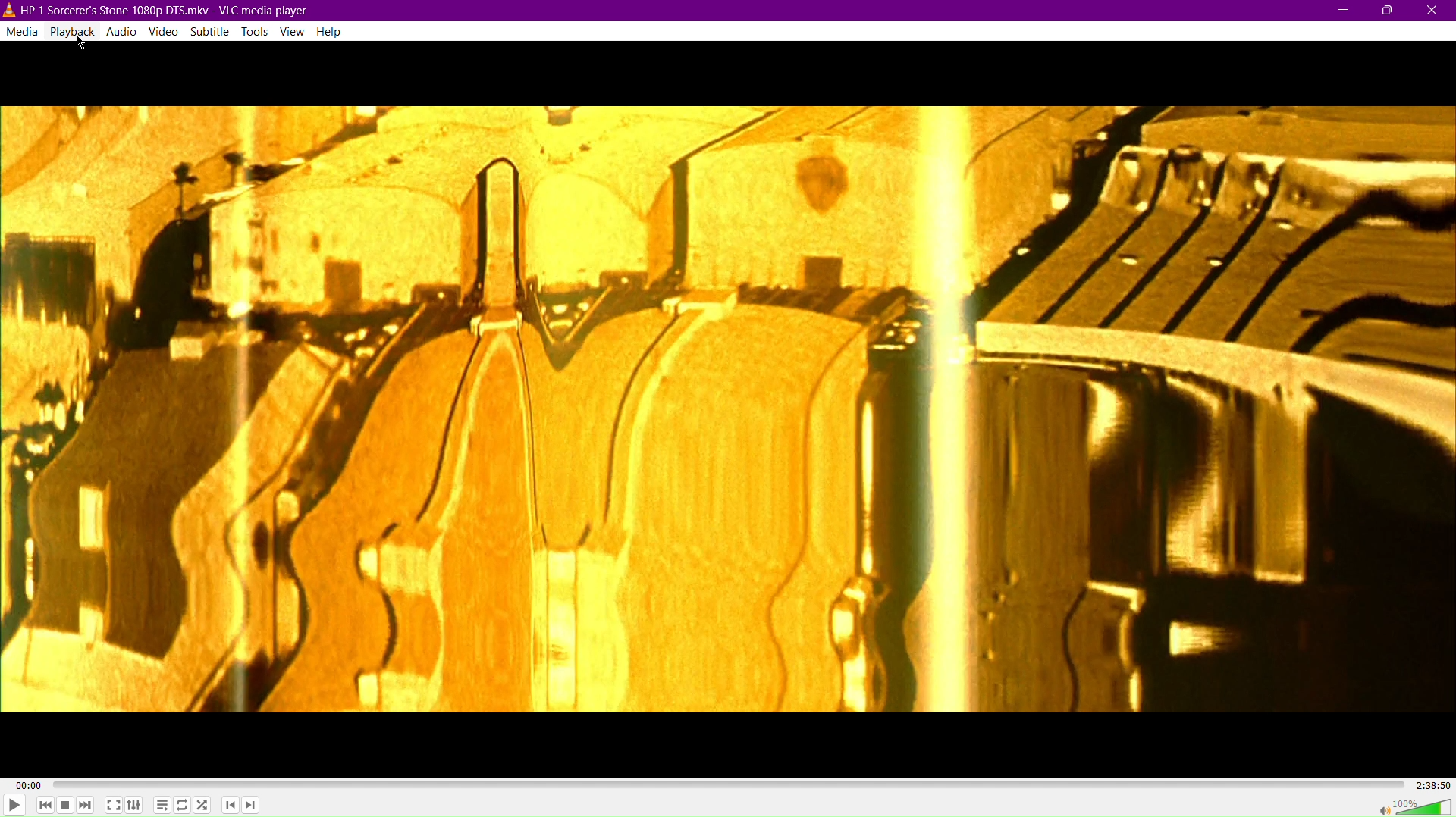 This screenshot has height=817, width=1456. Describe the element at coordinates (80, 40) in the screenshot. I see `Cursor Position` at that location.